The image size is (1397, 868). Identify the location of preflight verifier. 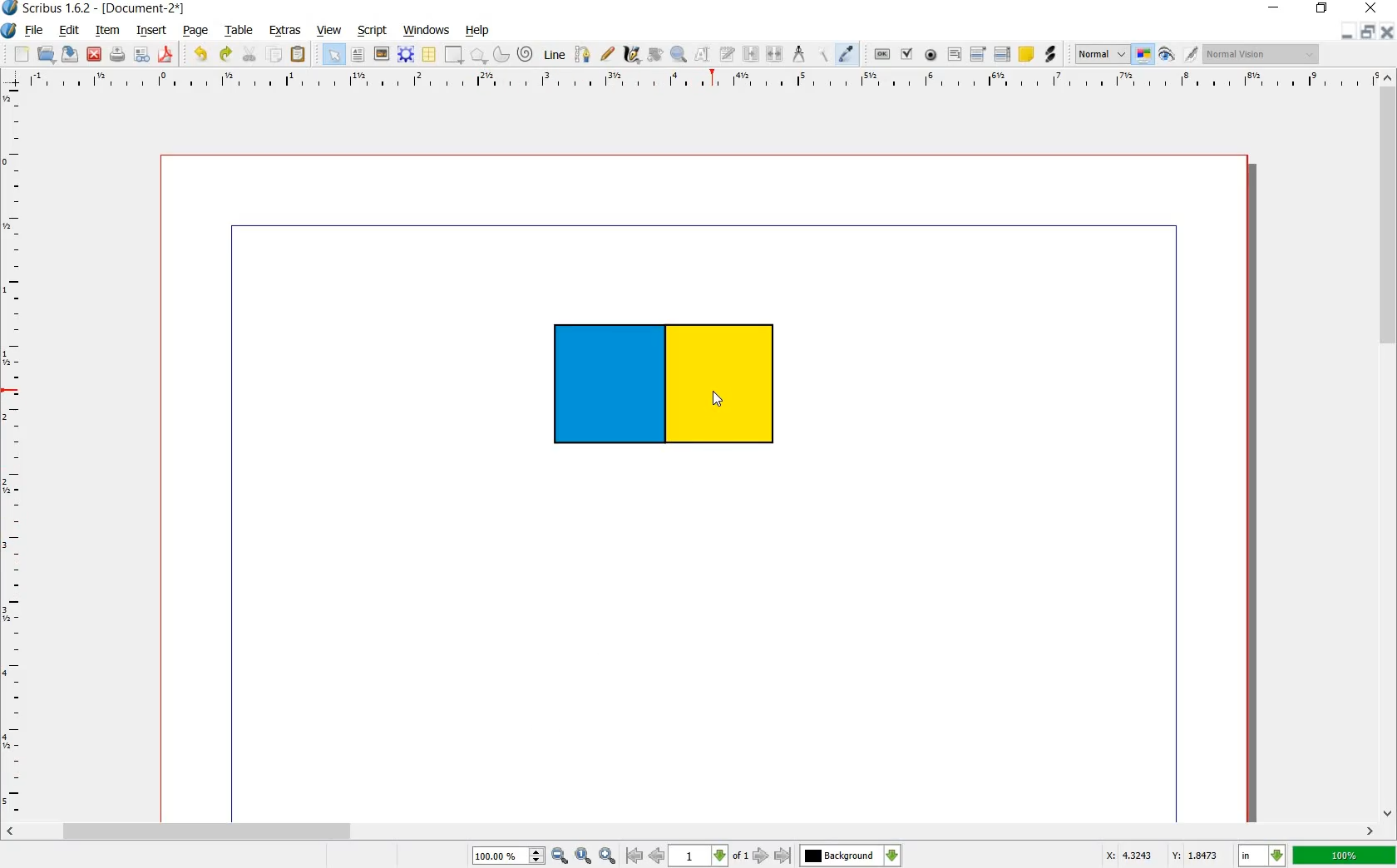
(141, 54).